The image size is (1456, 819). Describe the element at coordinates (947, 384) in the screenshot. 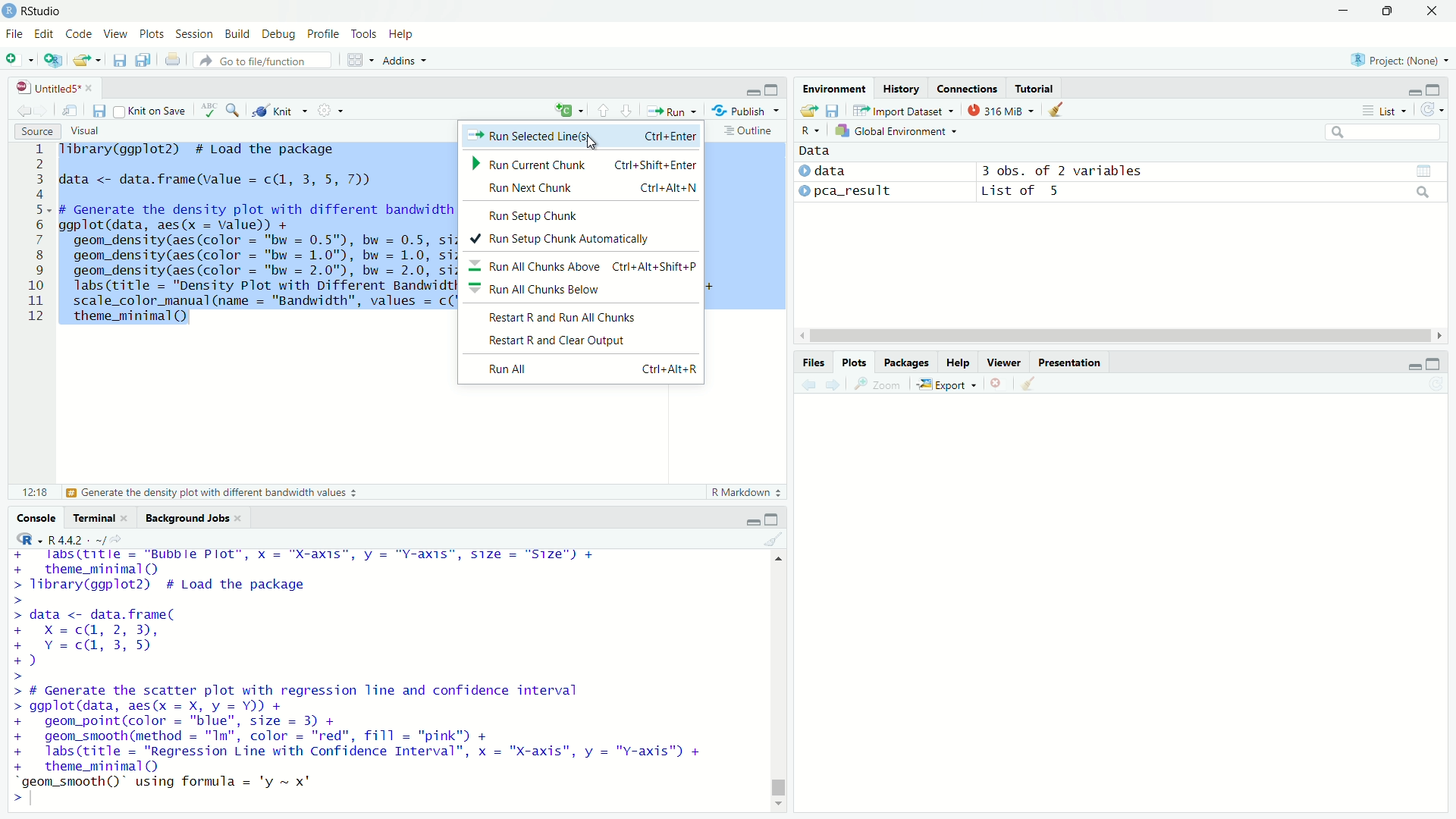

I see `Export` at that location.